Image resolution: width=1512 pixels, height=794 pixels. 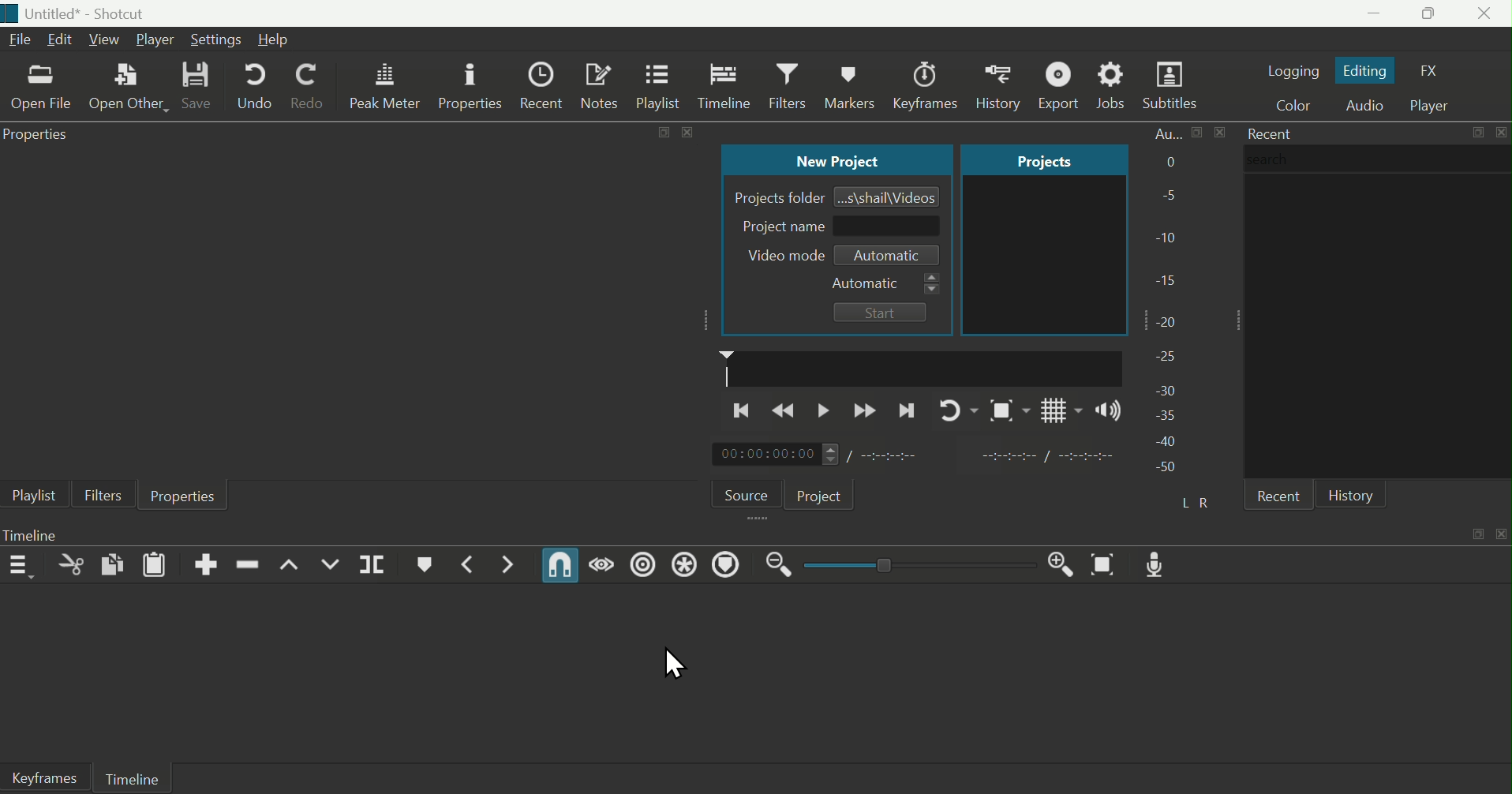 I want to click on in point, so click(x=1041, y=458).